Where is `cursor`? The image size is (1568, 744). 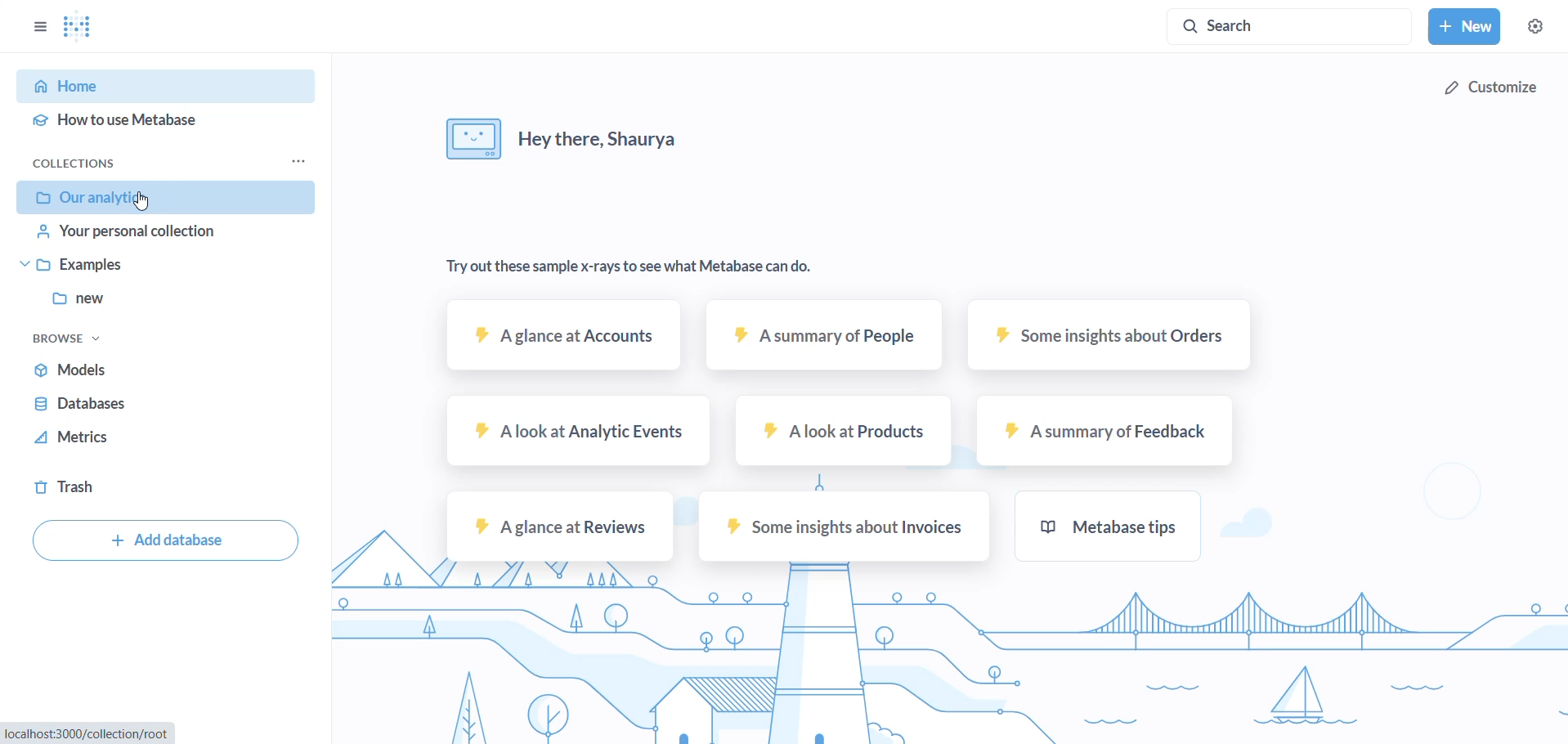
cursor is located at coordinates (144, 202).